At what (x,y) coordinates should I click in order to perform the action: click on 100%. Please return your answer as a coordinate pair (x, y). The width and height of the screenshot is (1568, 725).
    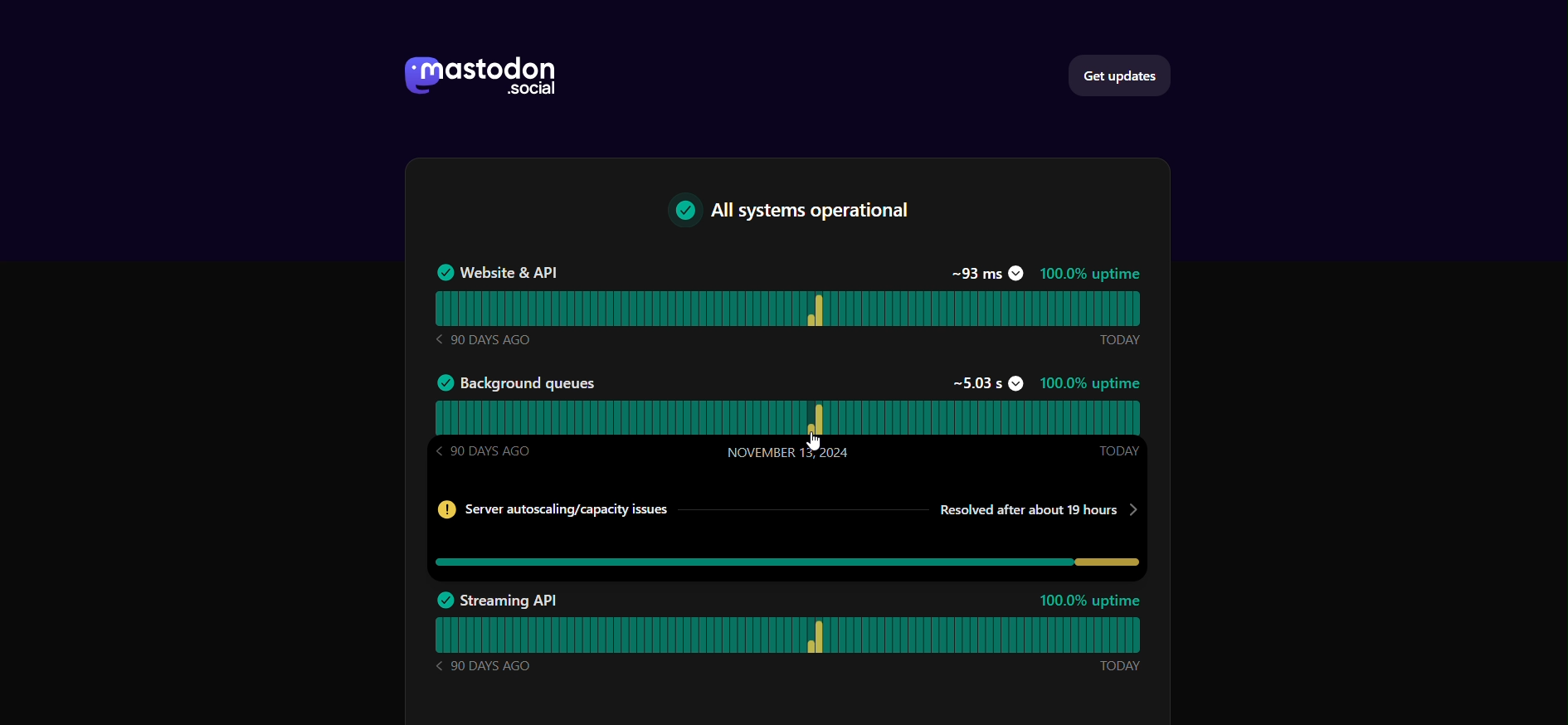
    Looking at the image, I should click on (1092, 384).